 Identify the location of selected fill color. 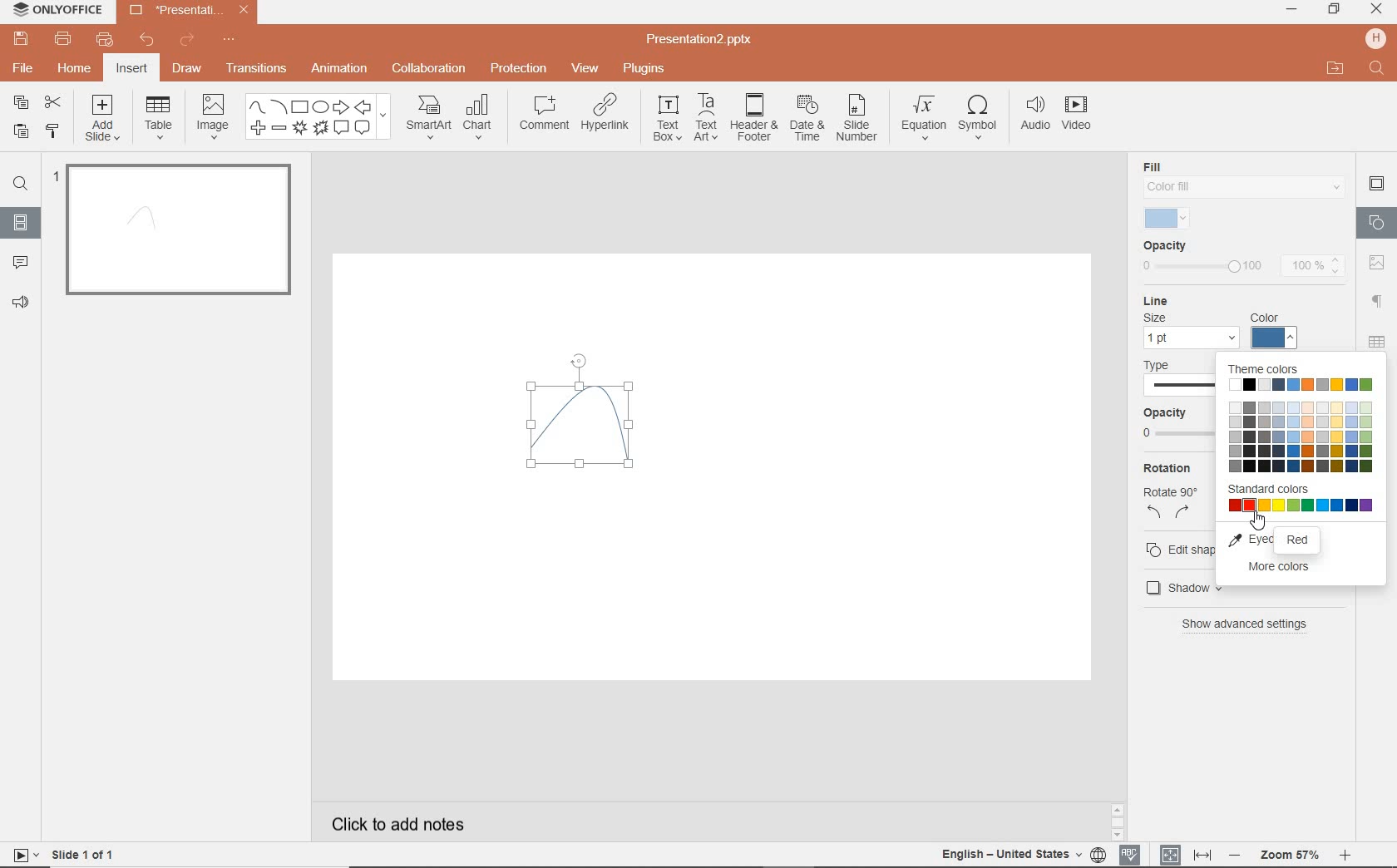
(1167, 218).